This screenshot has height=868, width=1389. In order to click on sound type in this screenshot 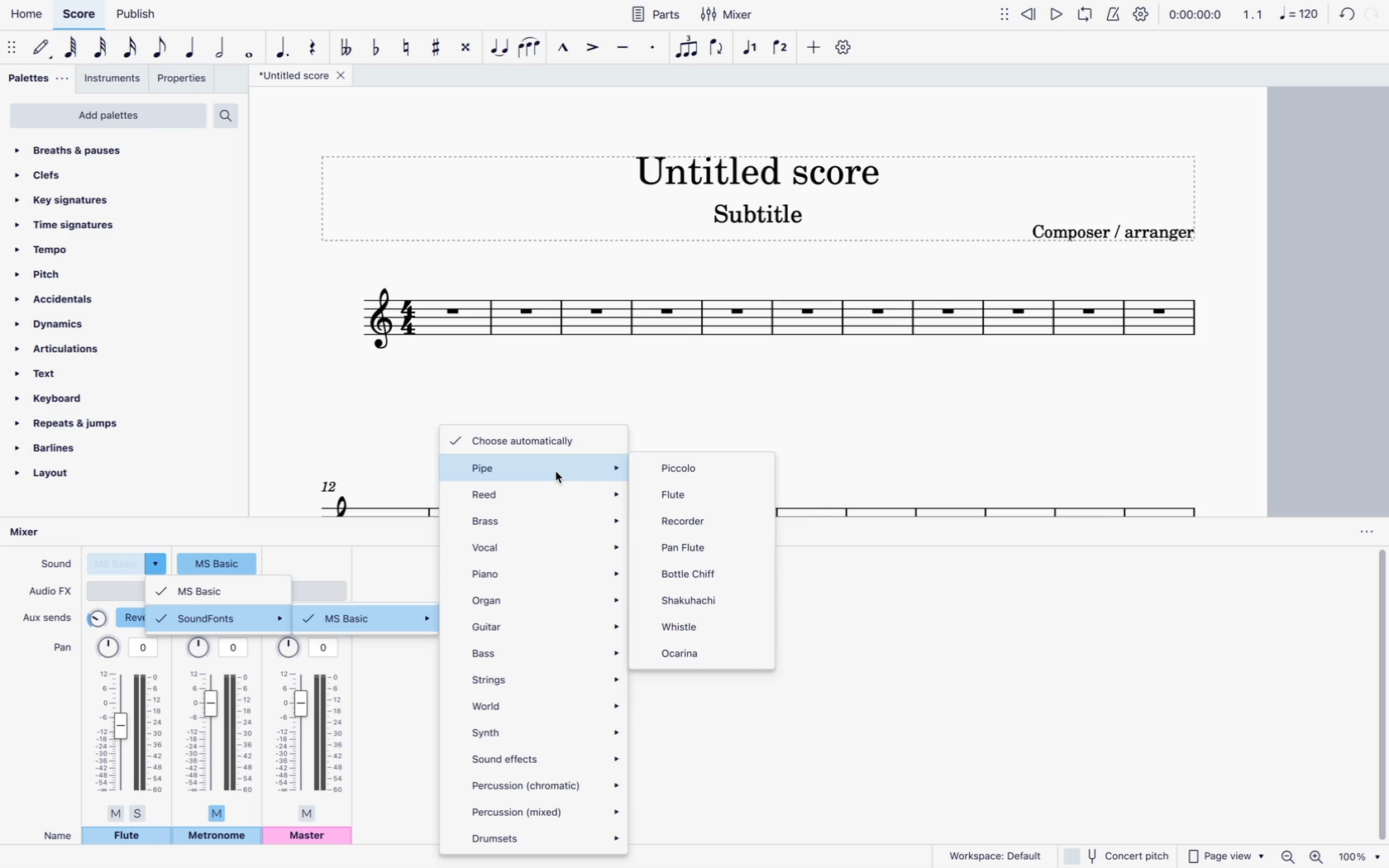, I will do `click(128, 563)`.